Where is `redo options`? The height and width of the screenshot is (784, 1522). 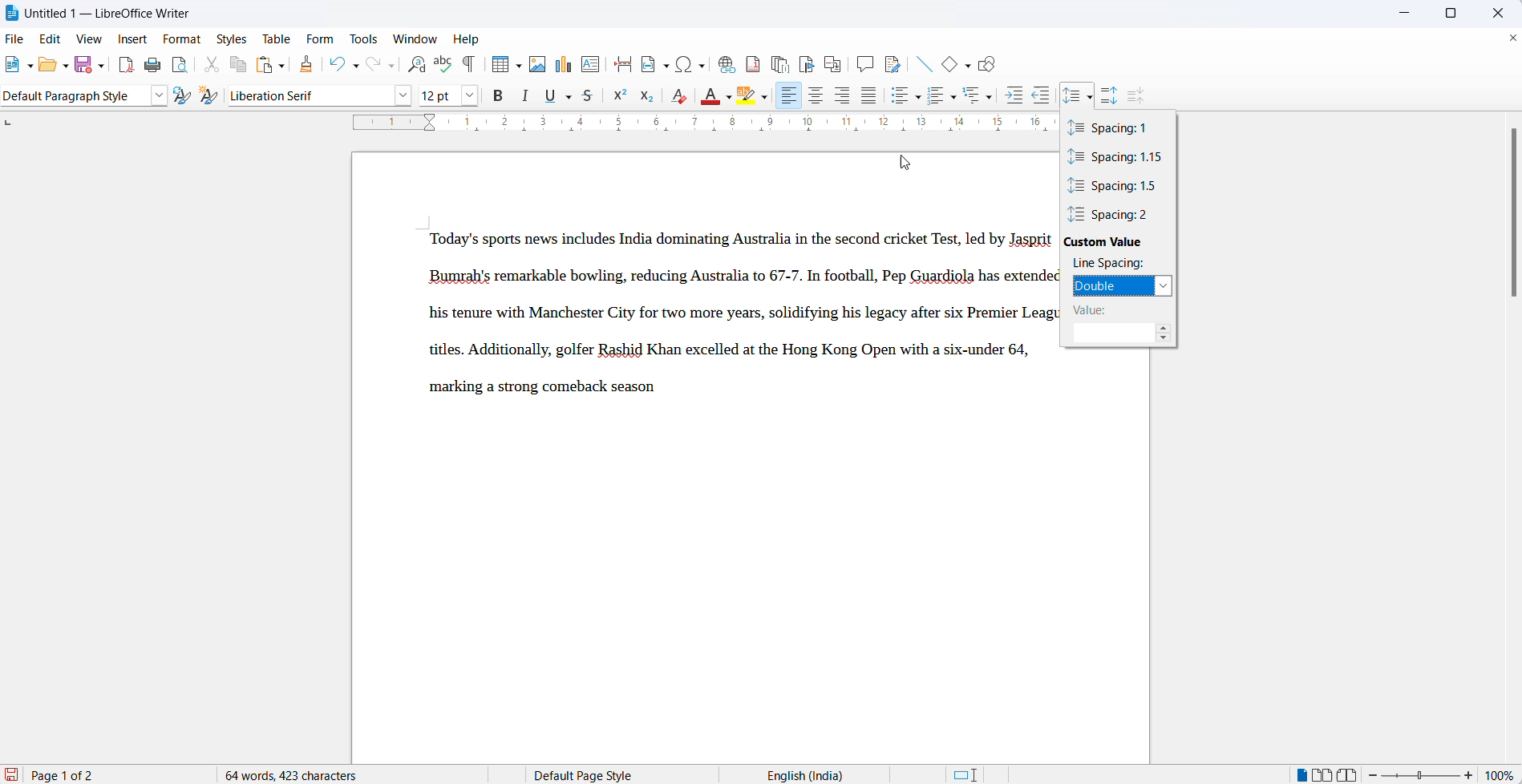
redo options is located at coordinates (391, 67).